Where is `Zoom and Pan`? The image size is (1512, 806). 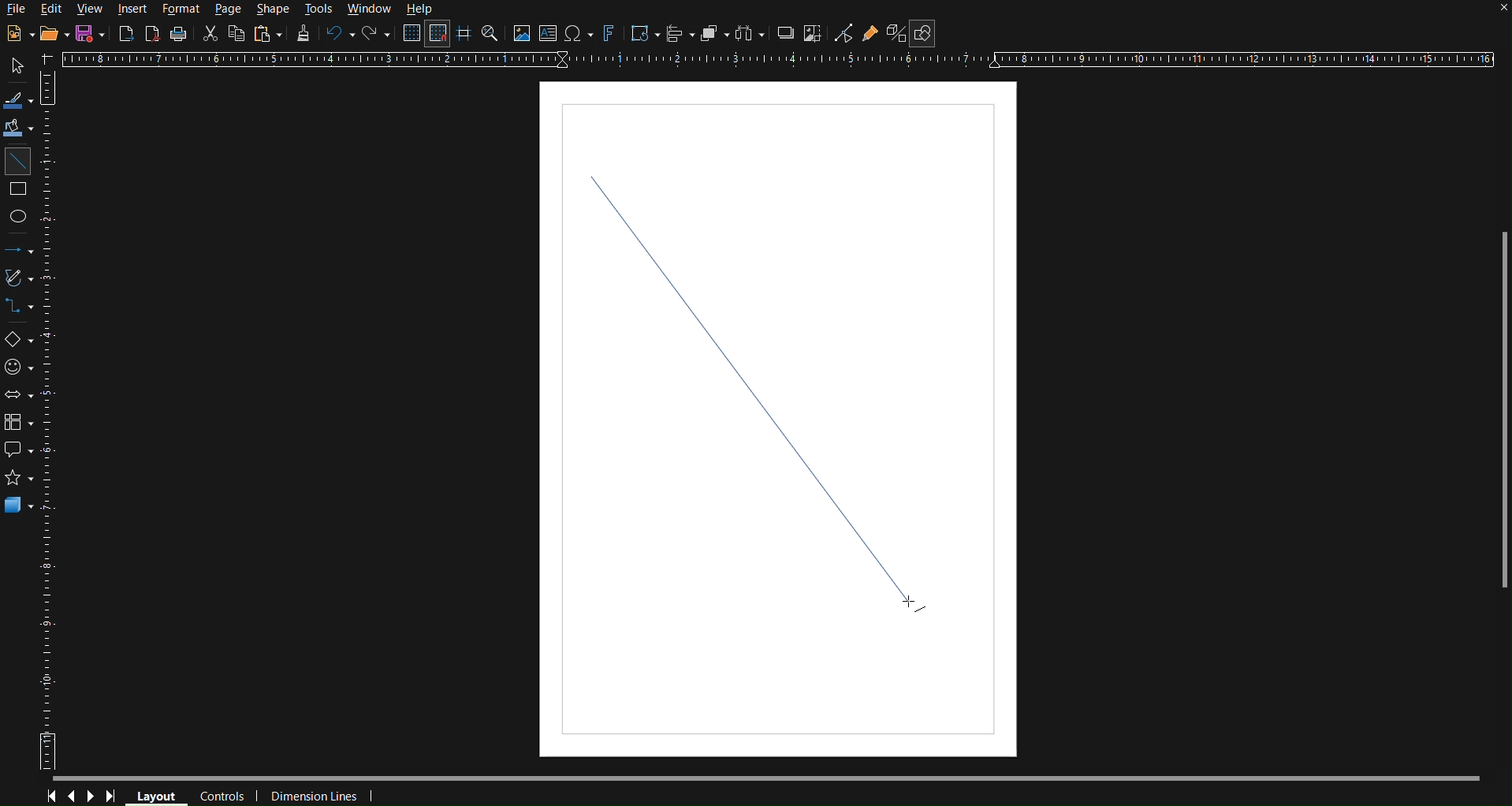 Zoom and Pan is located at coordinates (490, 33).